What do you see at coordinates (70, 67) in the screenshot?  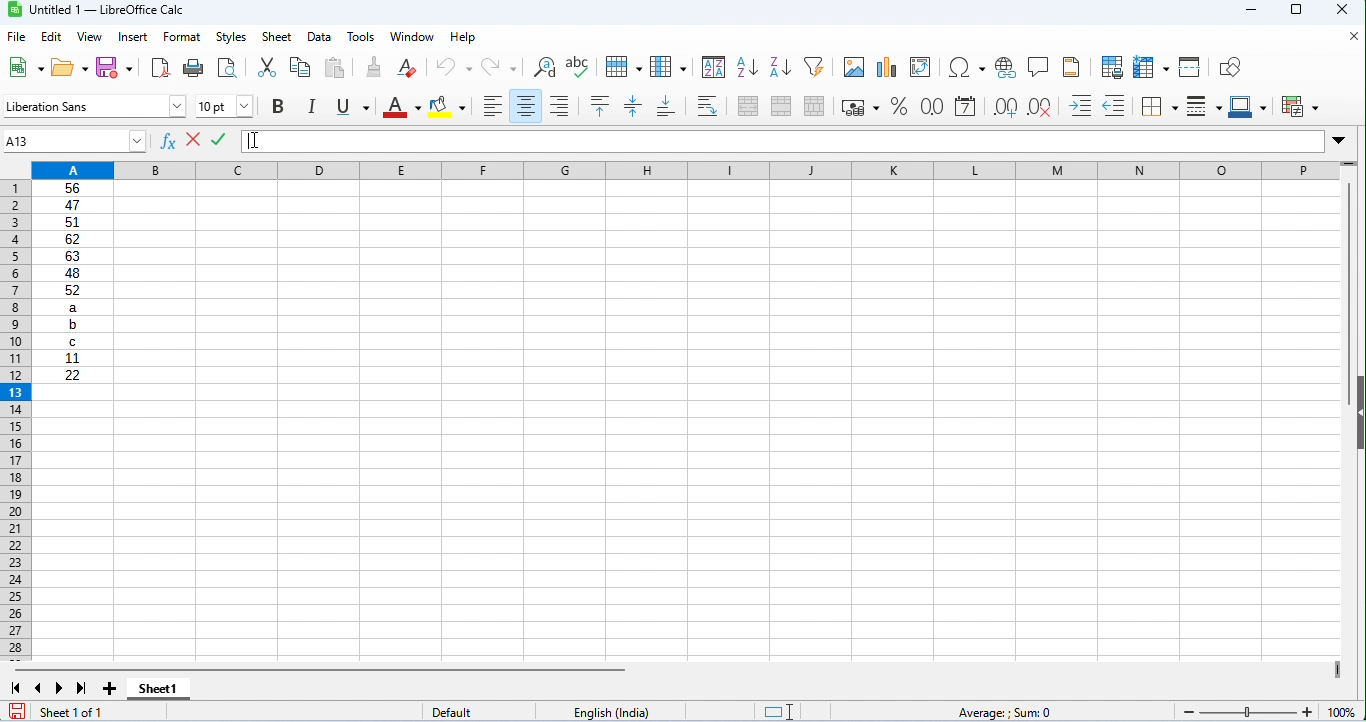 I see `open` at bounding box center [70, 67].